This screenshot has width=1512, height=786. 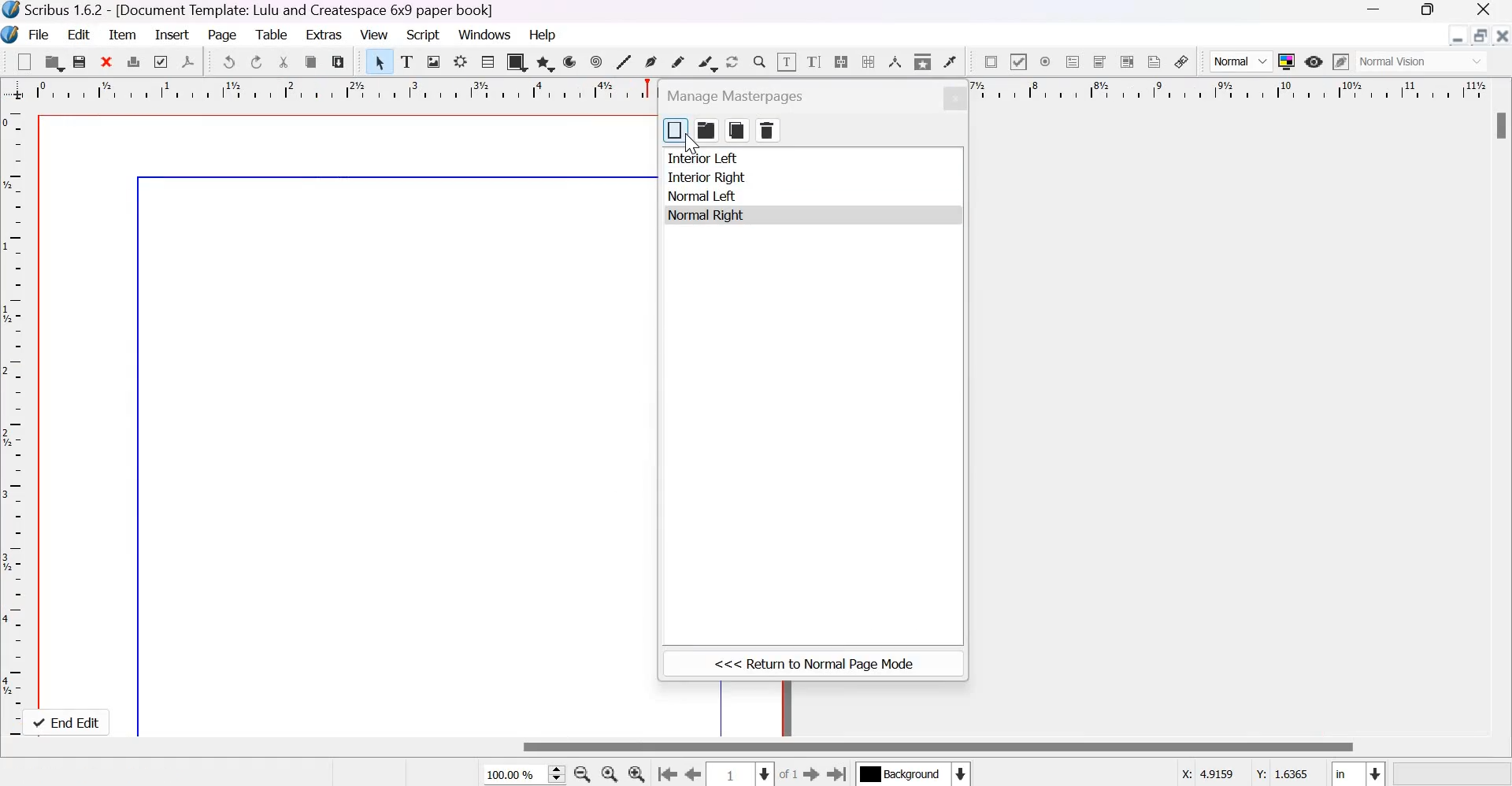 I want to click on Go to the next page, so click(x=812, y=773).